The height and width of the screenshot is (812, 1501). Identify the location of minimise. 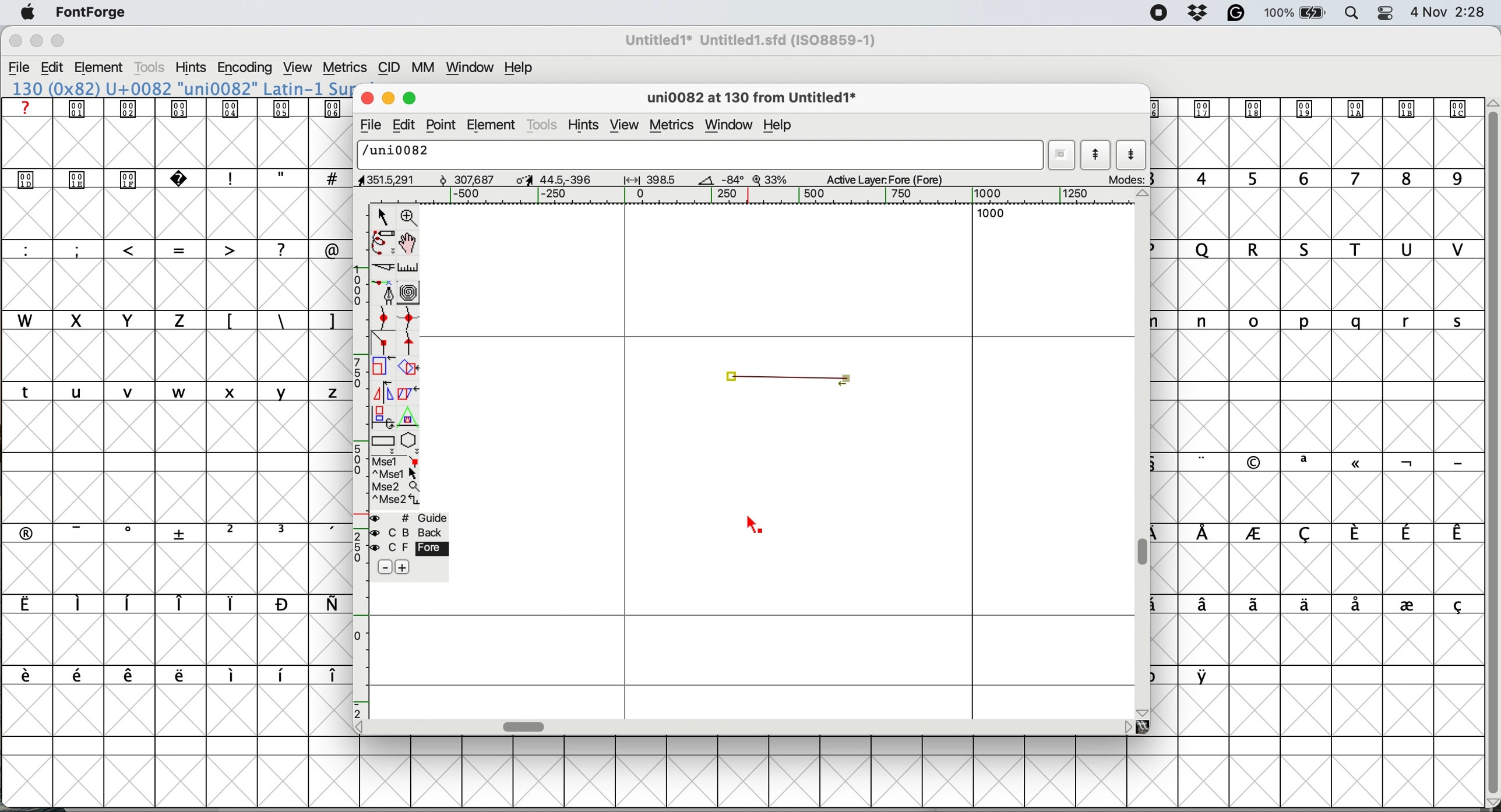
(386, 97).